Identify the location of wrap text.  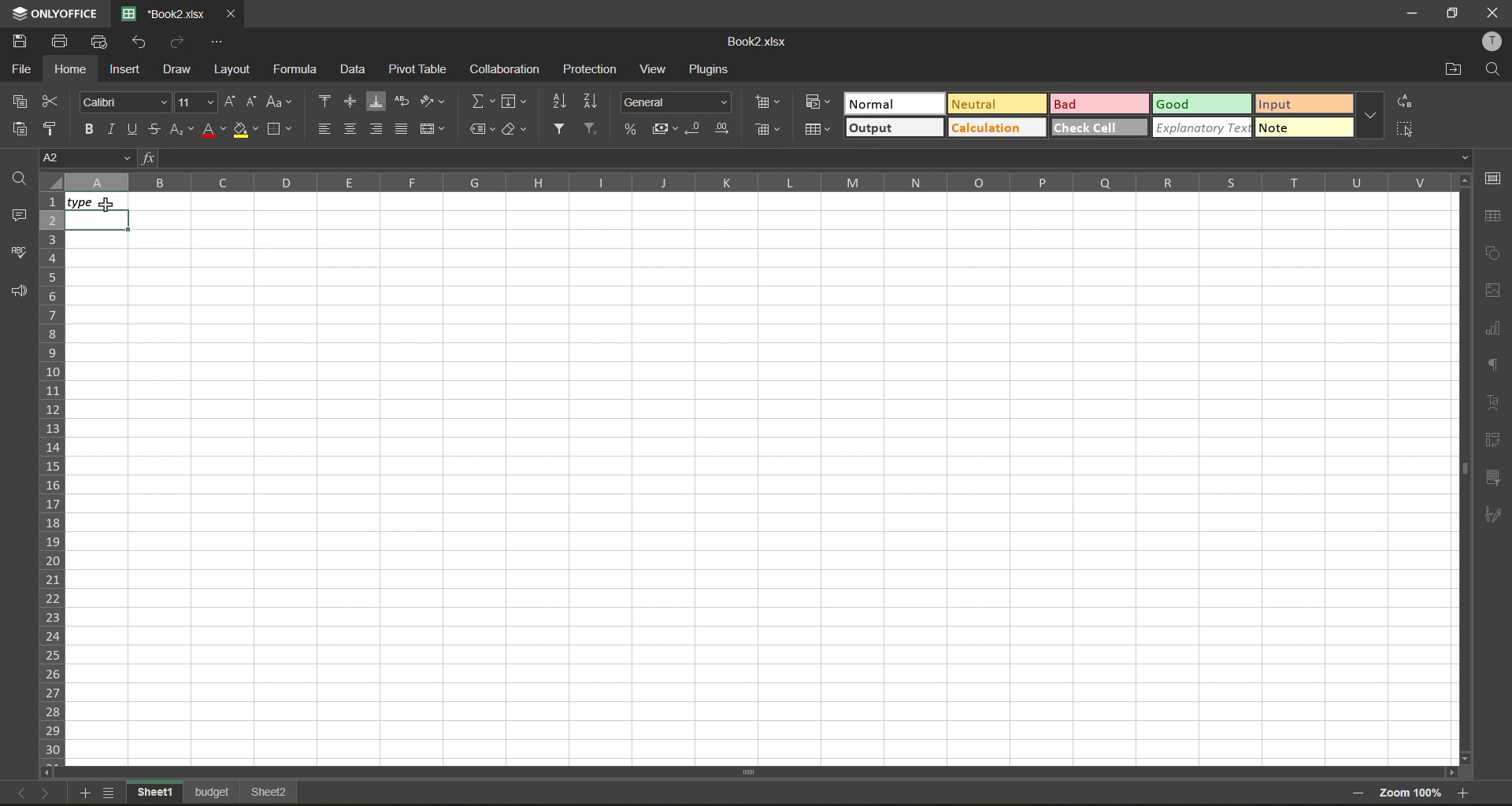
(406, 104).